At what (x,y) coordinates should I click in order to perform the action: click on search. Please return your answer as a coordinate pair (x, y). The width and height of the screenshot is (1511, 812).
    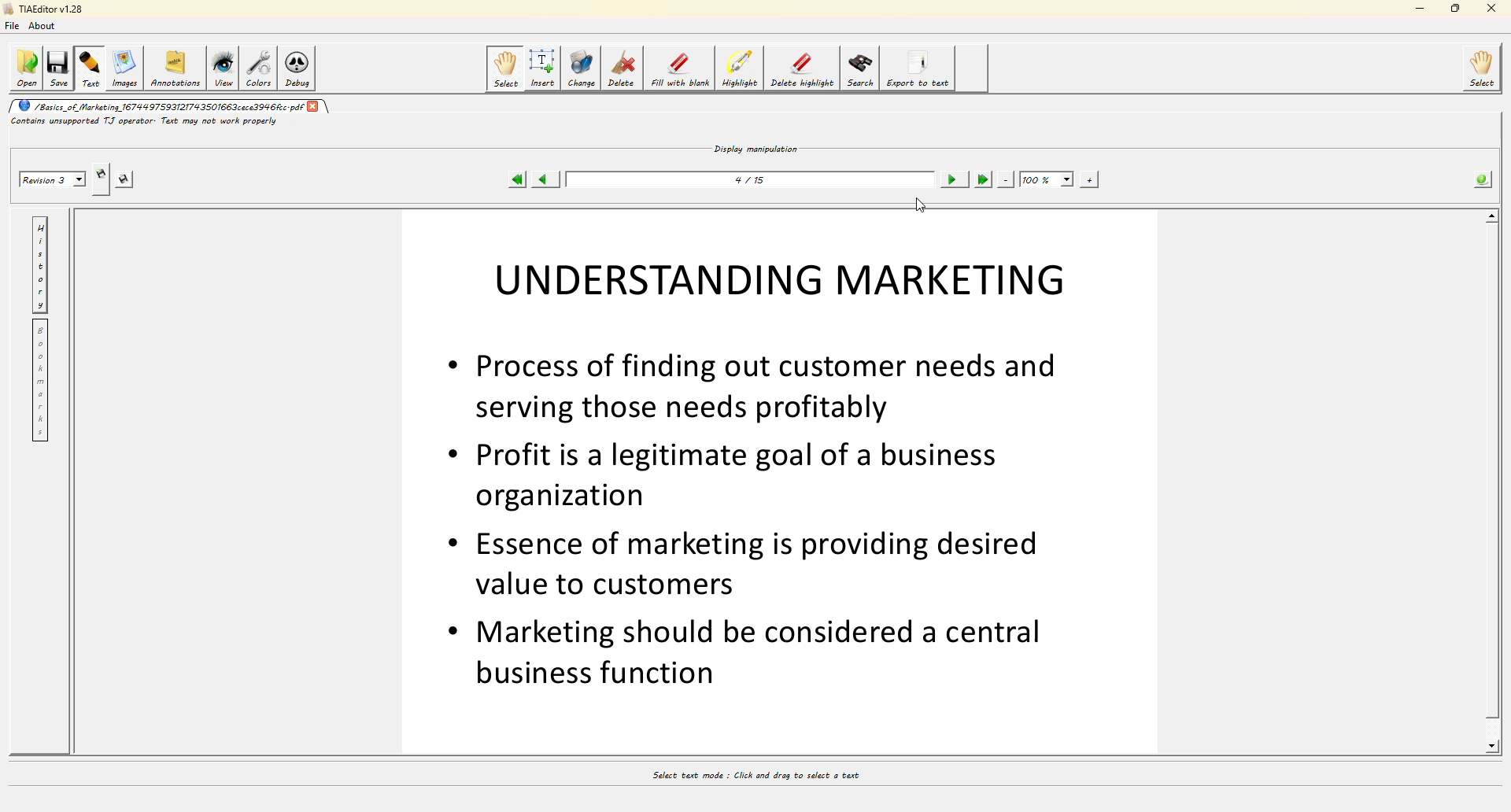
    Looking at the image, I should click on (860, 69).